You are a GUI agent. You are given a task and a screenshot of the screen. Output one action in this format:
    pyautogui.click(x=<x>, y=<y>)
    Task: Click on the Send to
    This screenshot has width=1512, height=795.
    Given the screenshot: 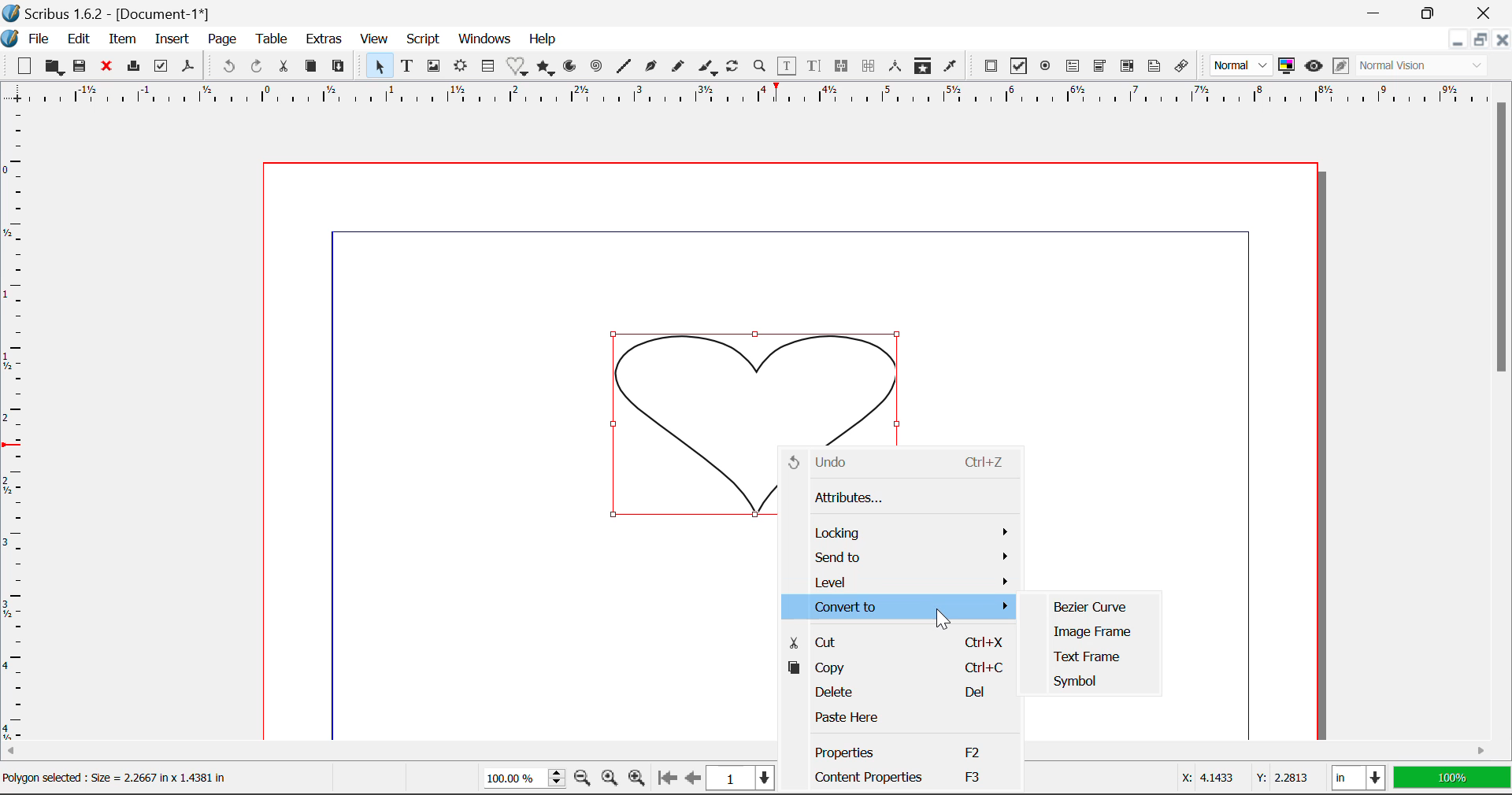 What is the action you would take?
    pyautogui.click(x=904, y=558)
    